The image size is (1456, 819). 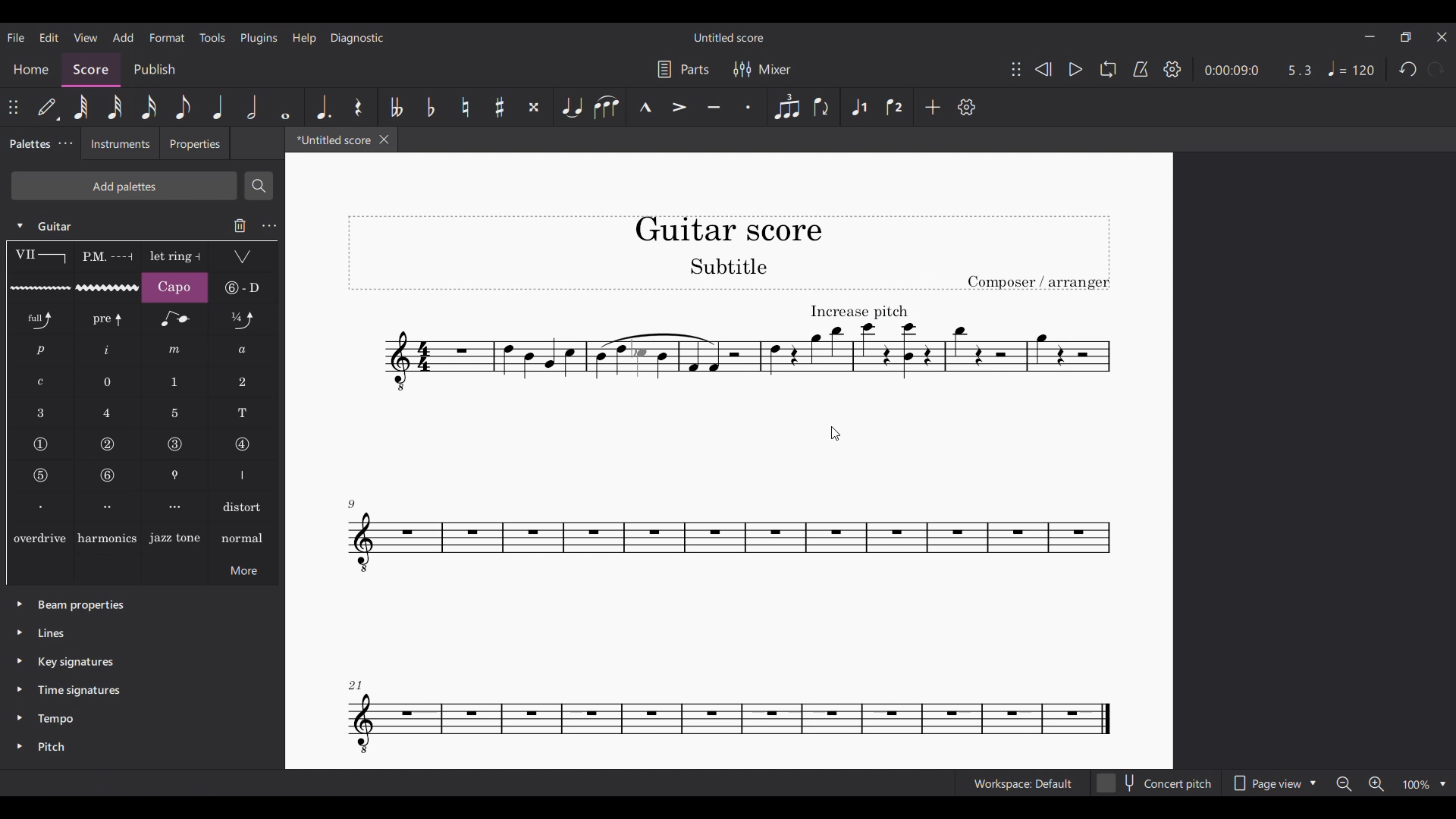 What do you see at coordinates (1406, 37) in the screenshot?
I see `Show in smaller tab` at bounding box center [1406, 37].